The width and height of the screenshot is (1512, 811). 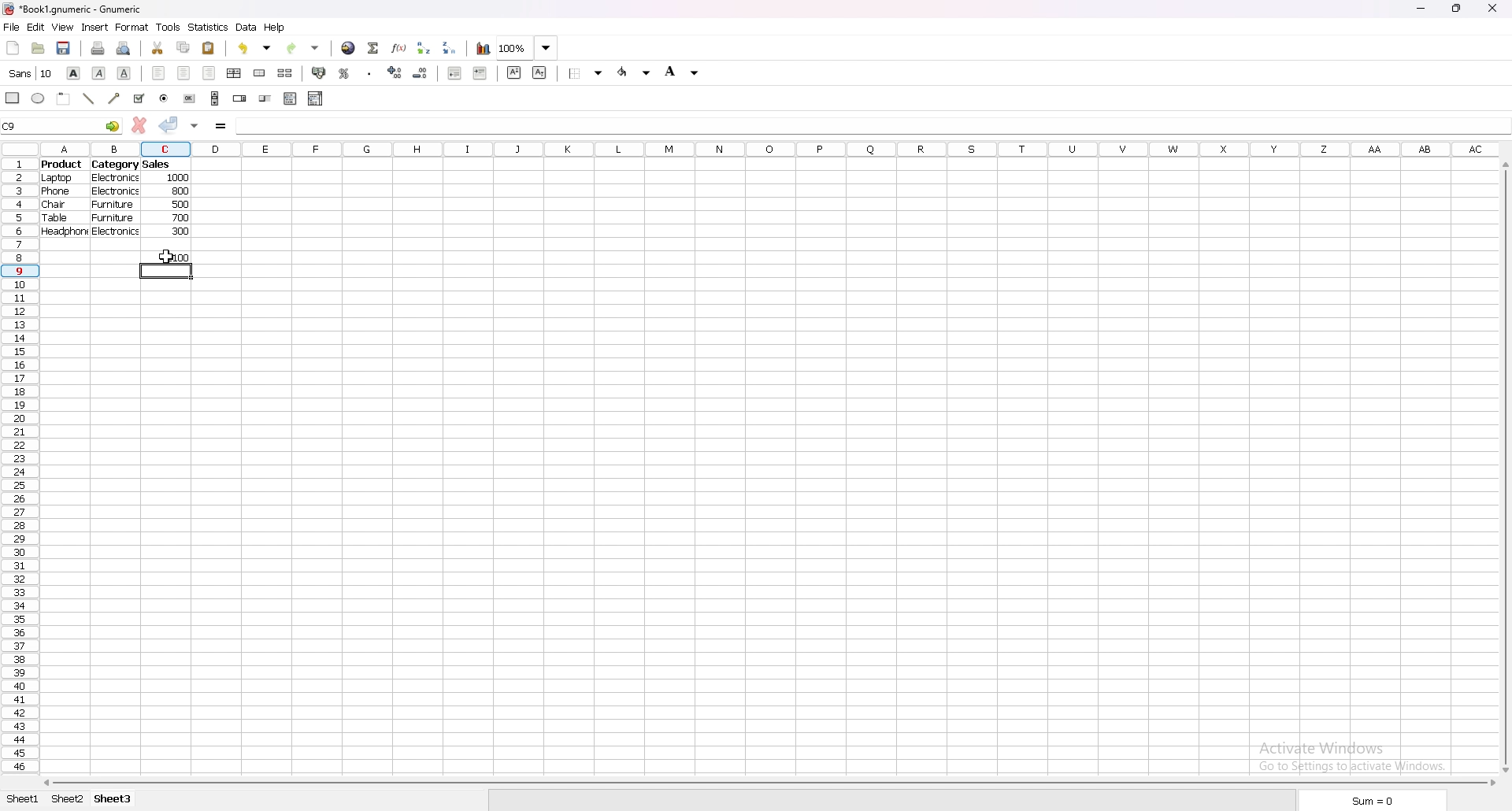 What do you see at coordinates (55, 191) in the screenshot?
I see `phone` at bounding box center [55, 191].